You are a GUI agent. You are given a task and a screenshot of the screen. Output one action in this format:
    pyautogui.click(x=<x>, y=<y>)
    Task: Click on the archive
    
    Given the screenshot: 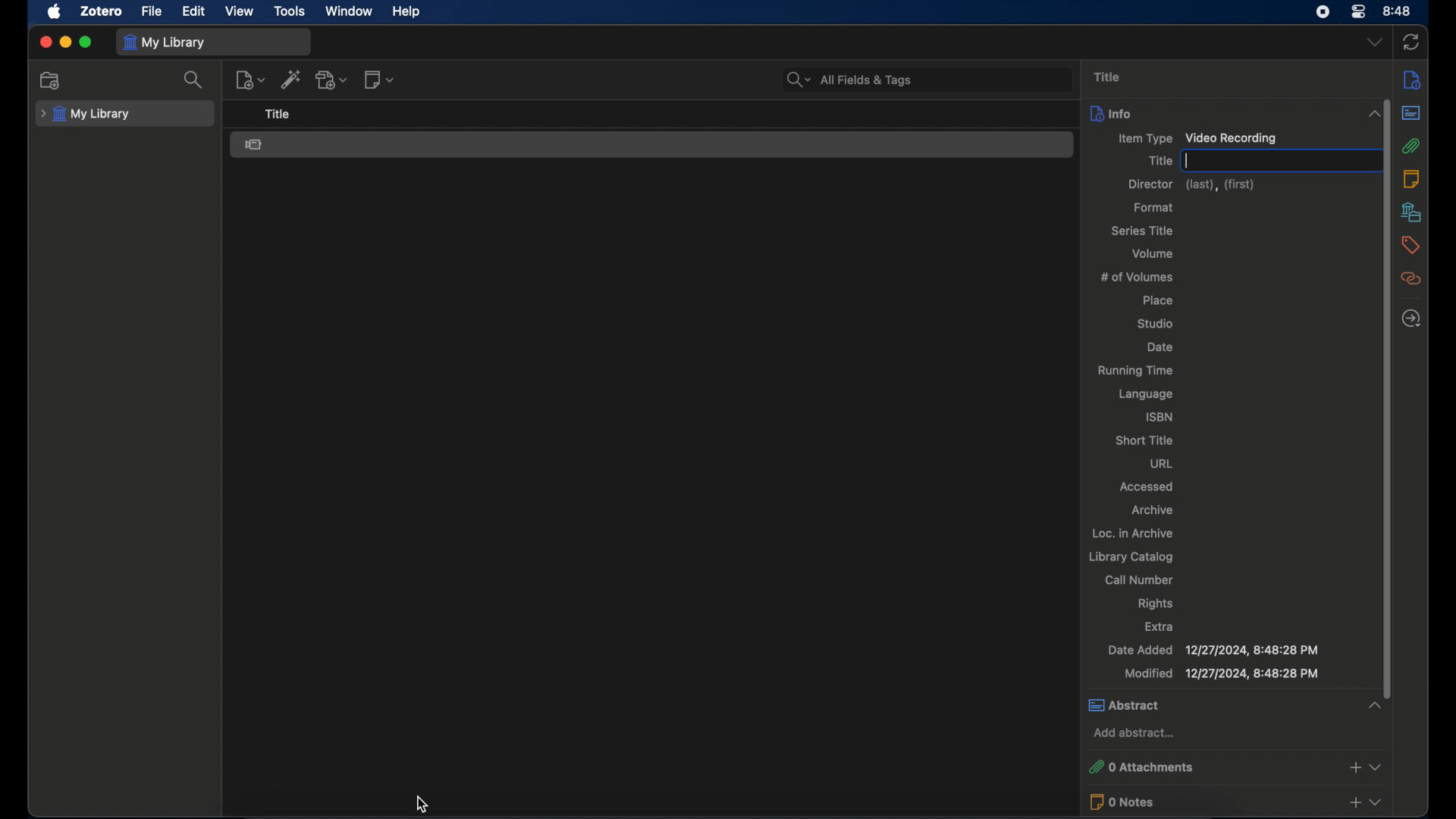 What is the action you would take?
    pyautogui.click(x=1153, y=510)
    